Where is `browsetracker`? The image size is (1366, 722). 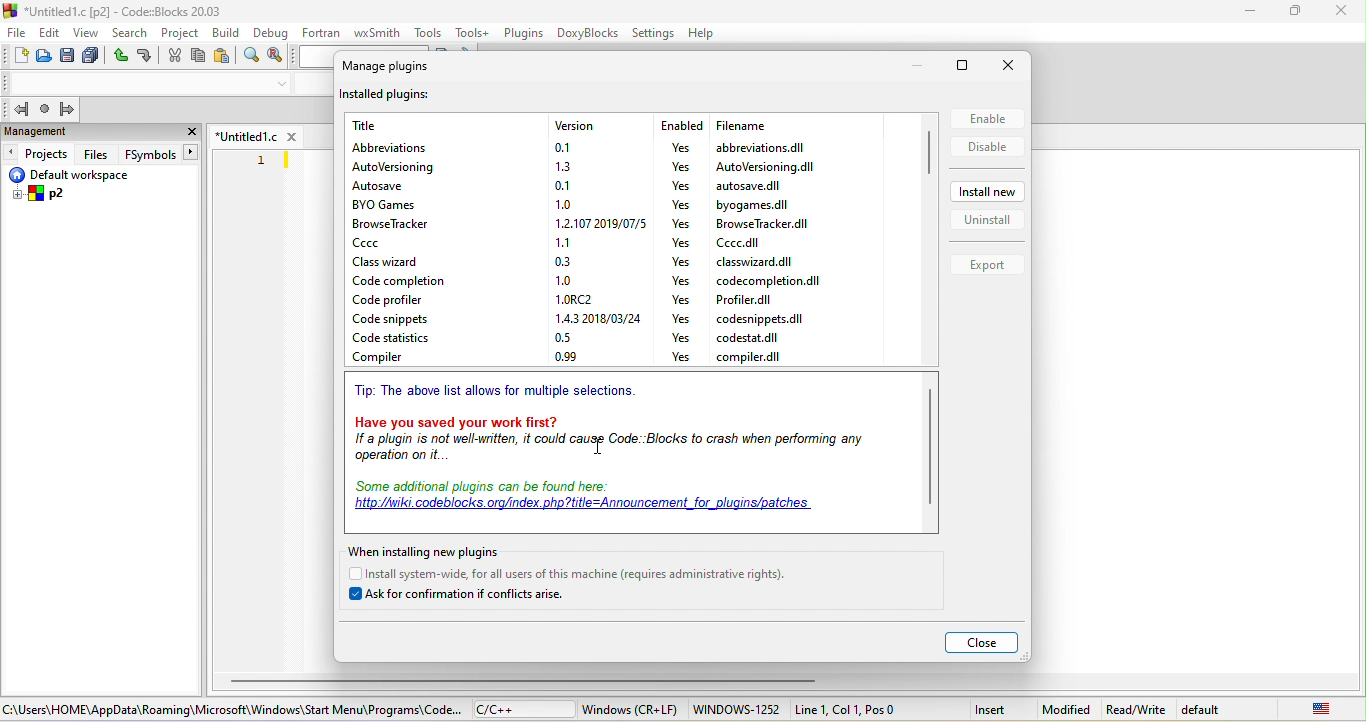
browsetracker is located at coordinates (761, 223).